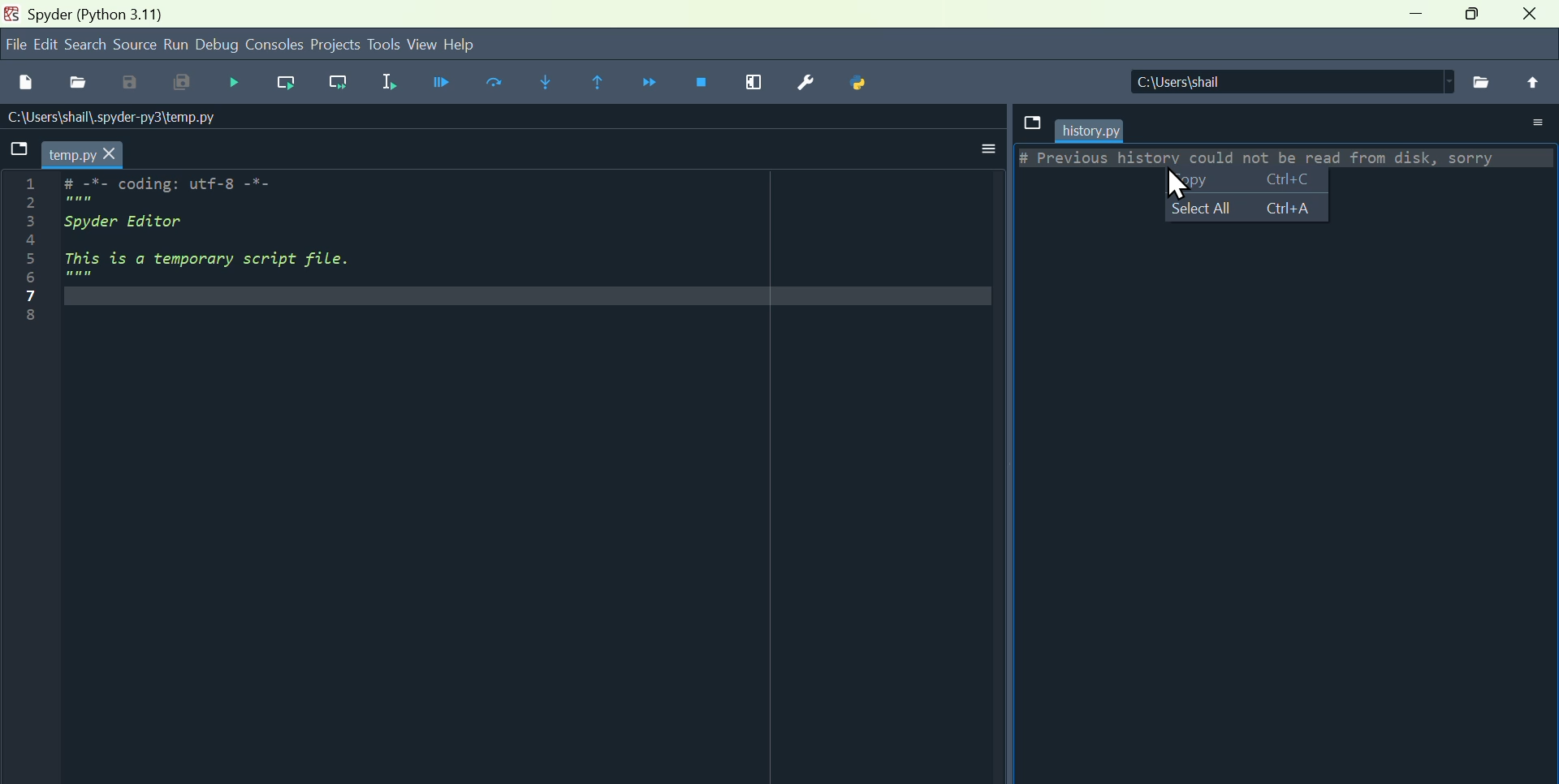 The height and width of the screenshot is (784, 1559). What do you see at coordinates (499, 84) in the screenshot?
I see `Run current line` at bounding box center [499, 84].